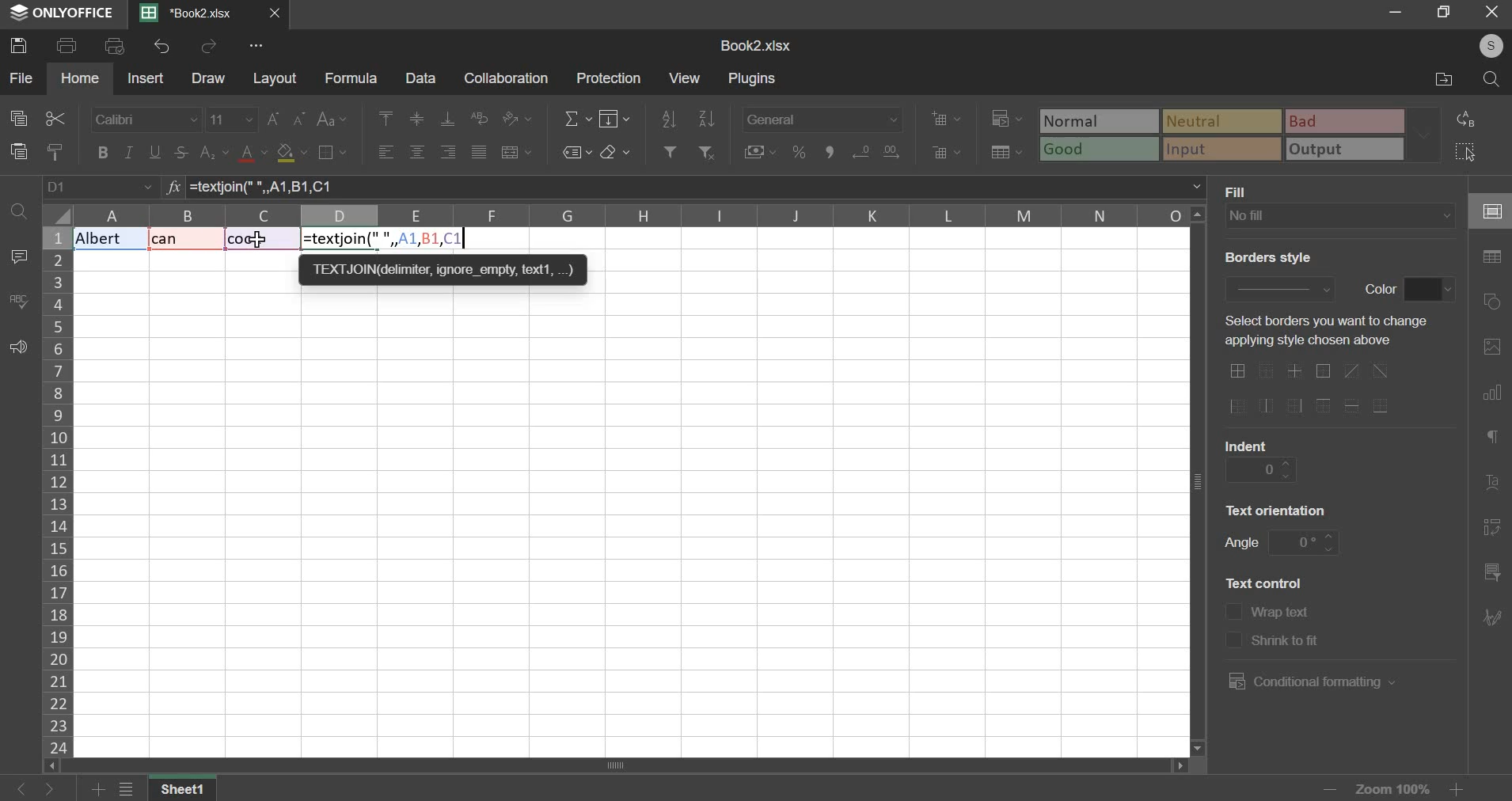  What do you see at coordinates (56, 151) in the screenshot?
I see `copy style` at bounding box center [56, 151].